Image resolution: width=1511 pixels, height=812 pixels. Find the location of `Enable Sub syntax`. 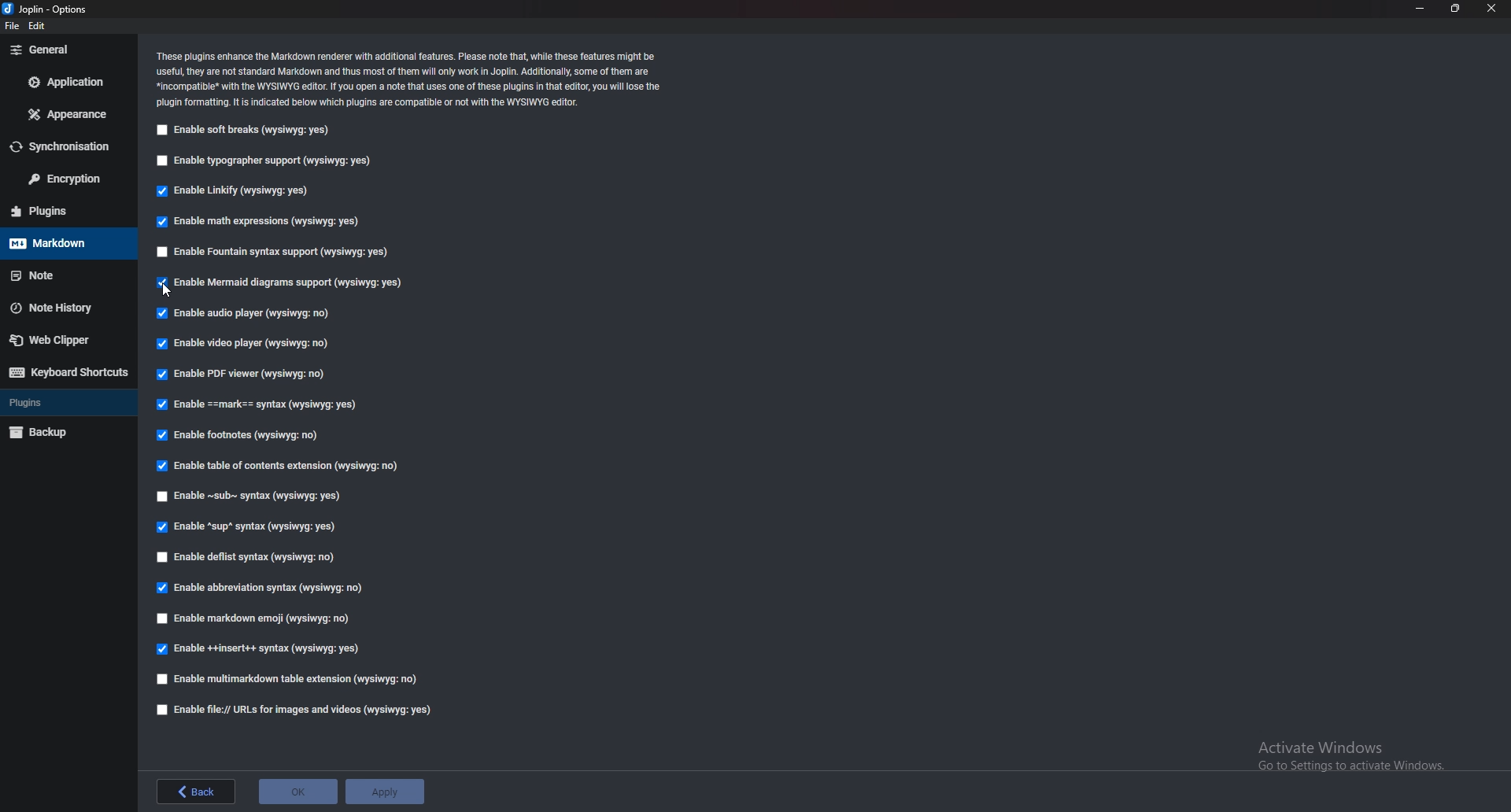

Enable Sub syntax is located at coordinates (251, 494).